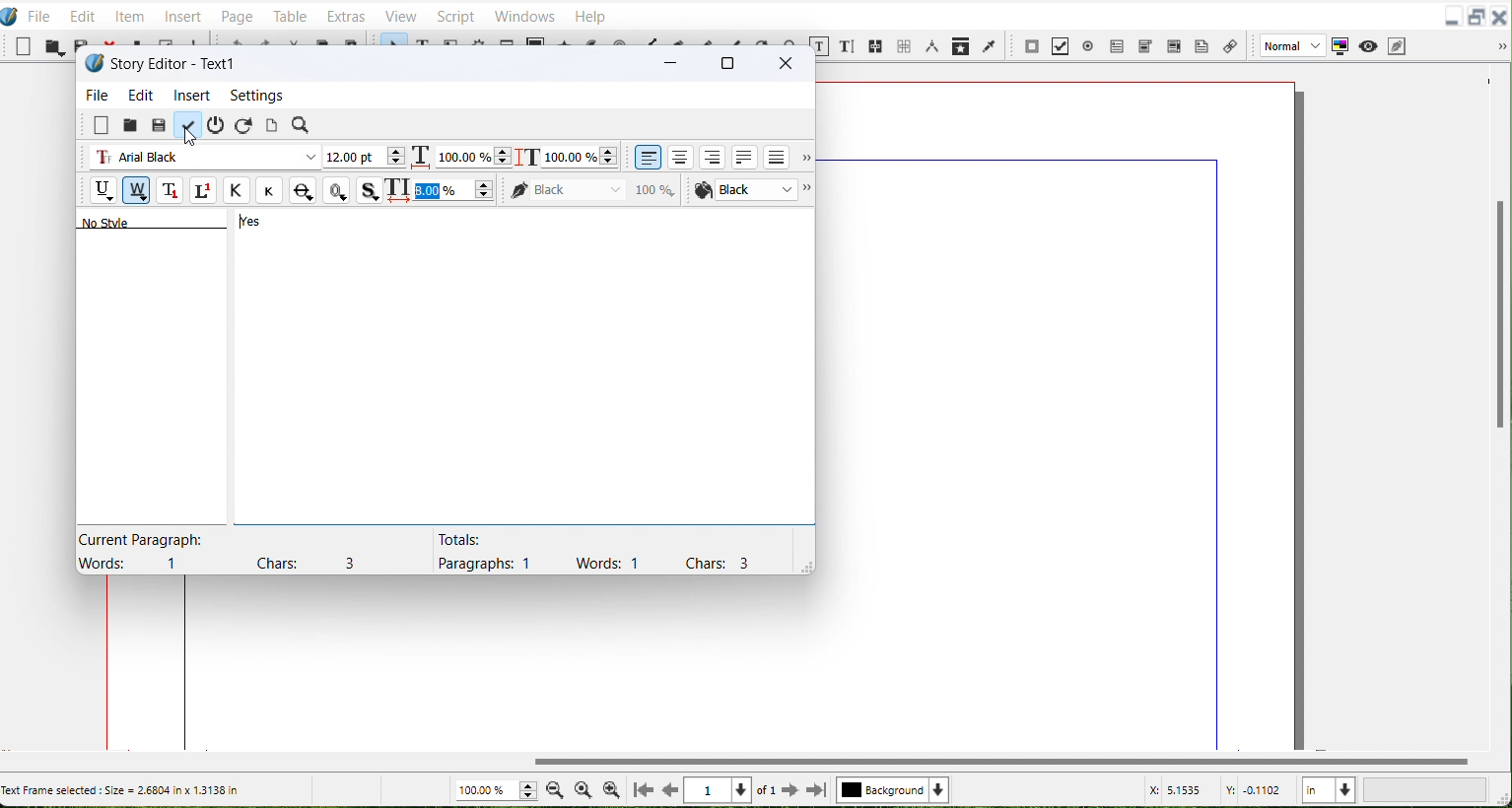 Image resolution: width=1512 pixels, height=808 pixels. Describe the element at coordinates (24, 46) in the screenshot. I see `New` at that location.